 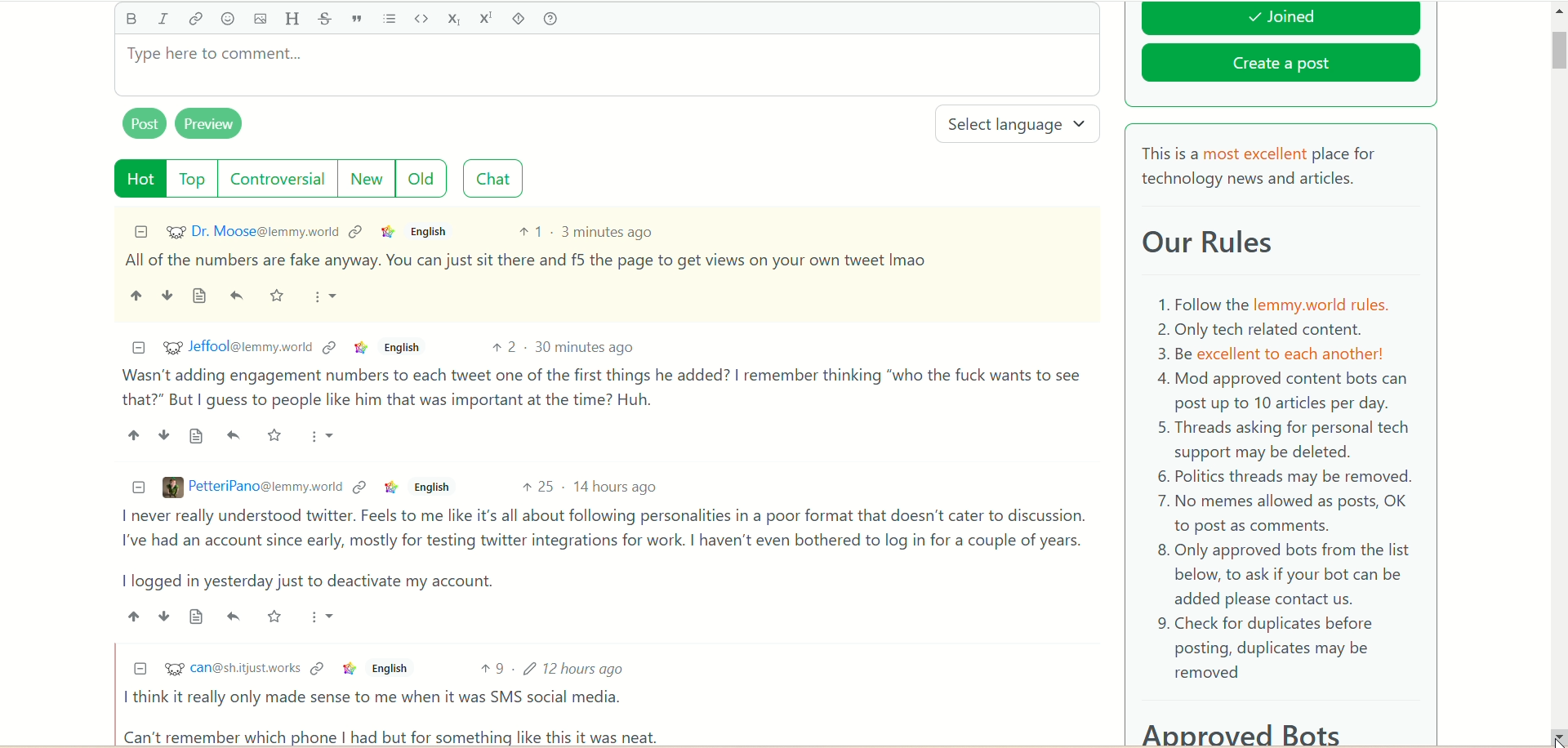 I want to click on help, so click(x=550, y=20).